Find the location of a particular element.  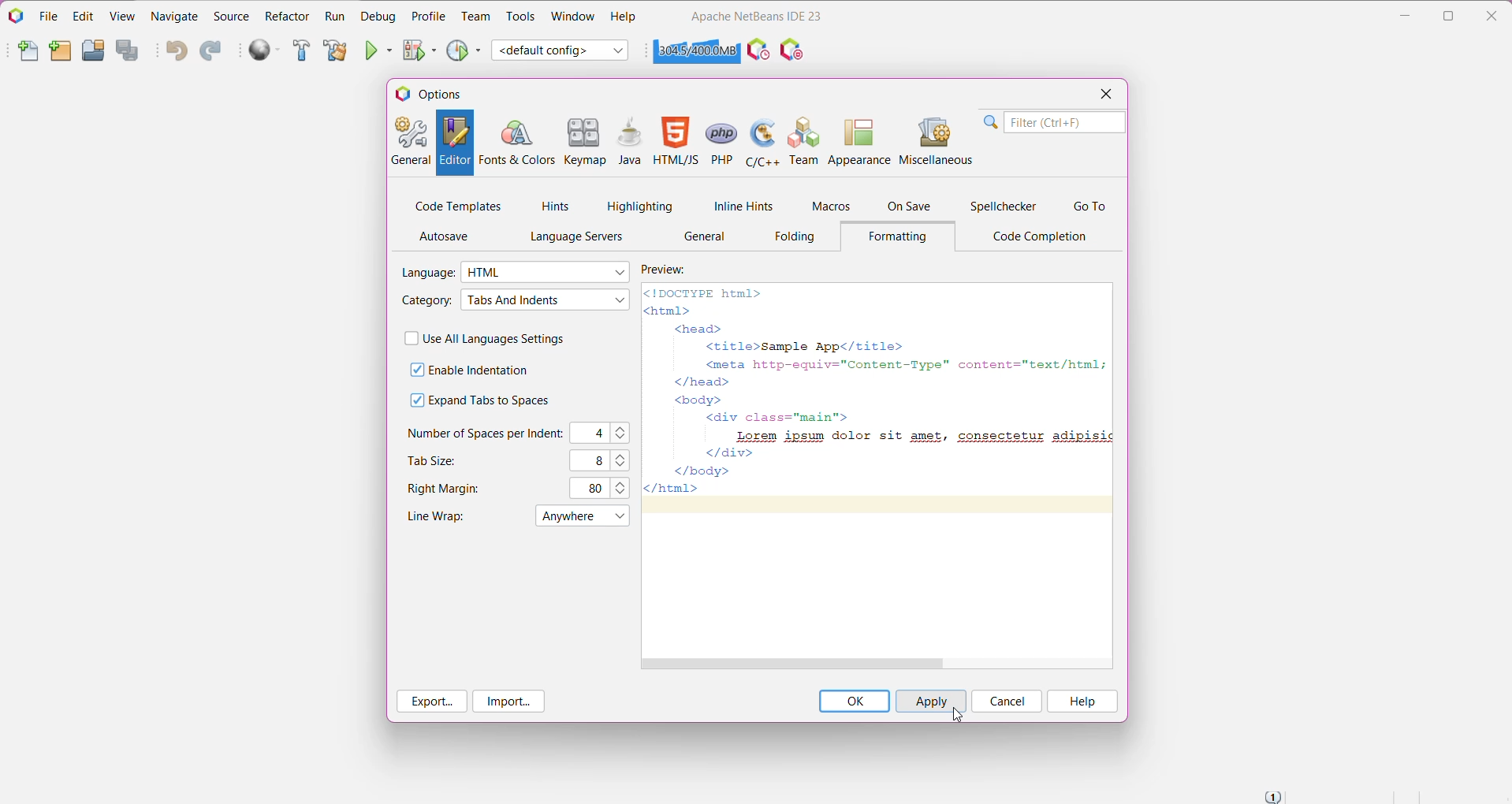

</html> is located at coordinates (672, 489).